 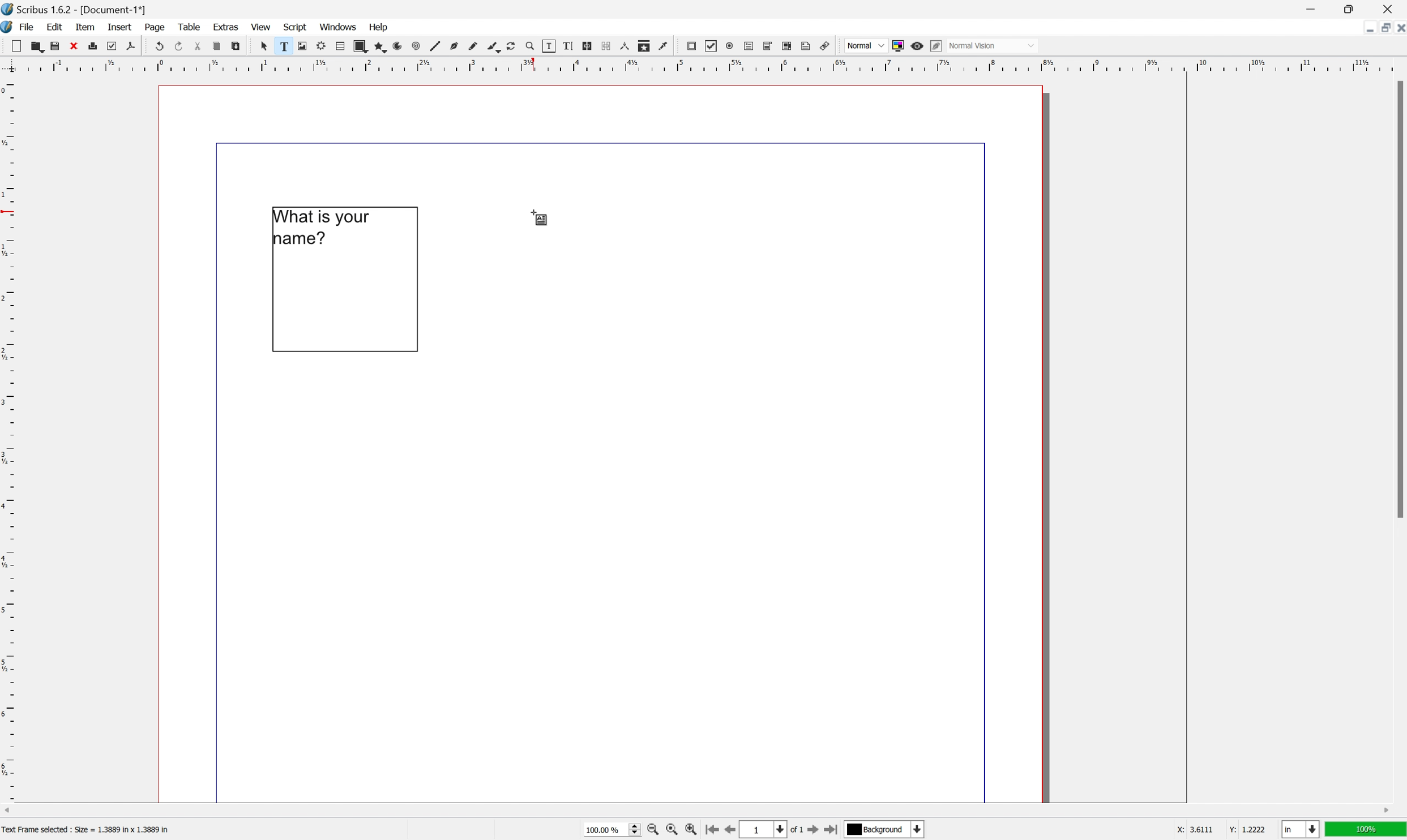 I want to click on 100%, so click(x=1367, y=832).